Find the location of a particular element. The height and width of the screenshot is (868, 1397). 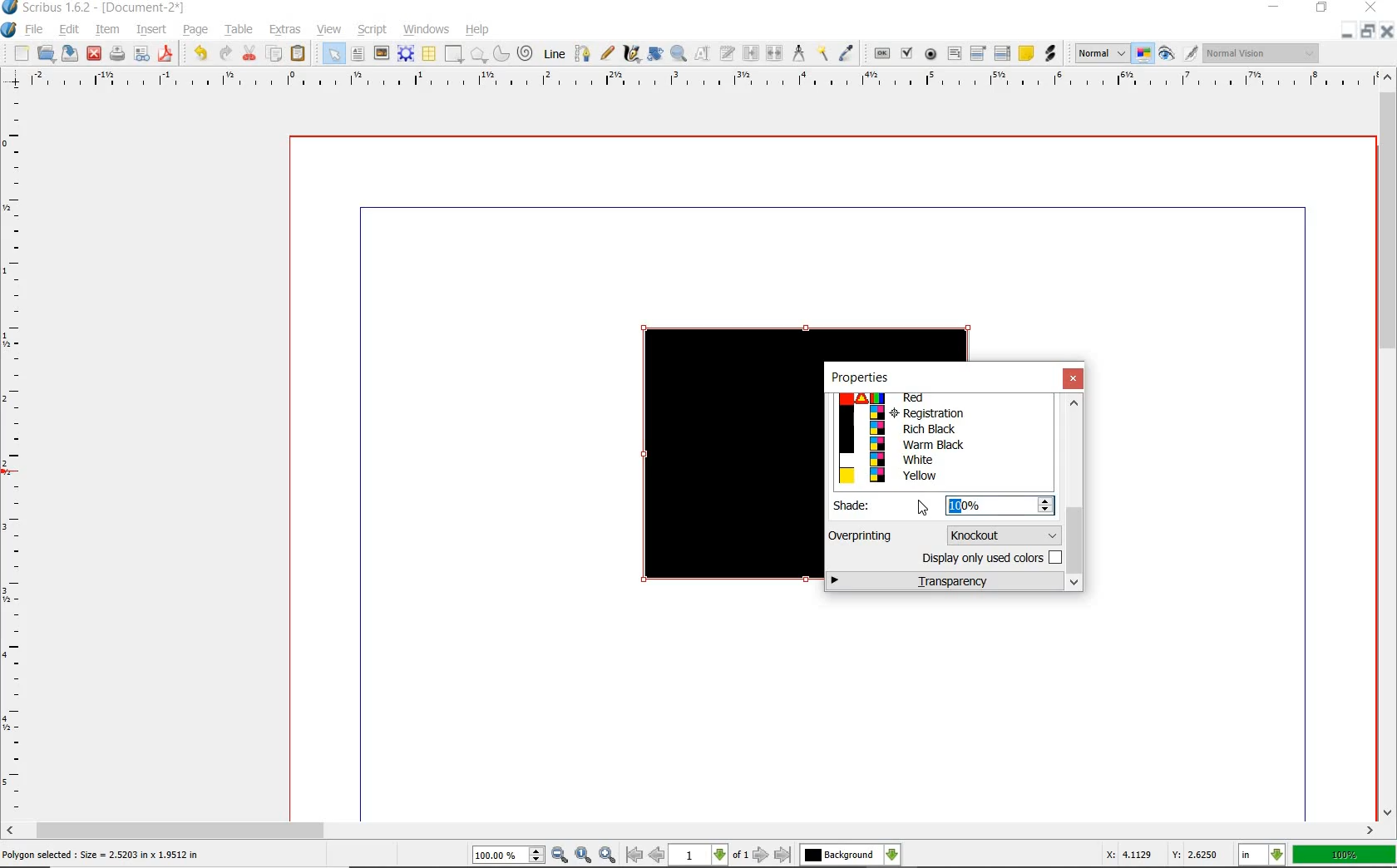

ruler is located at coordinates (17, 455).